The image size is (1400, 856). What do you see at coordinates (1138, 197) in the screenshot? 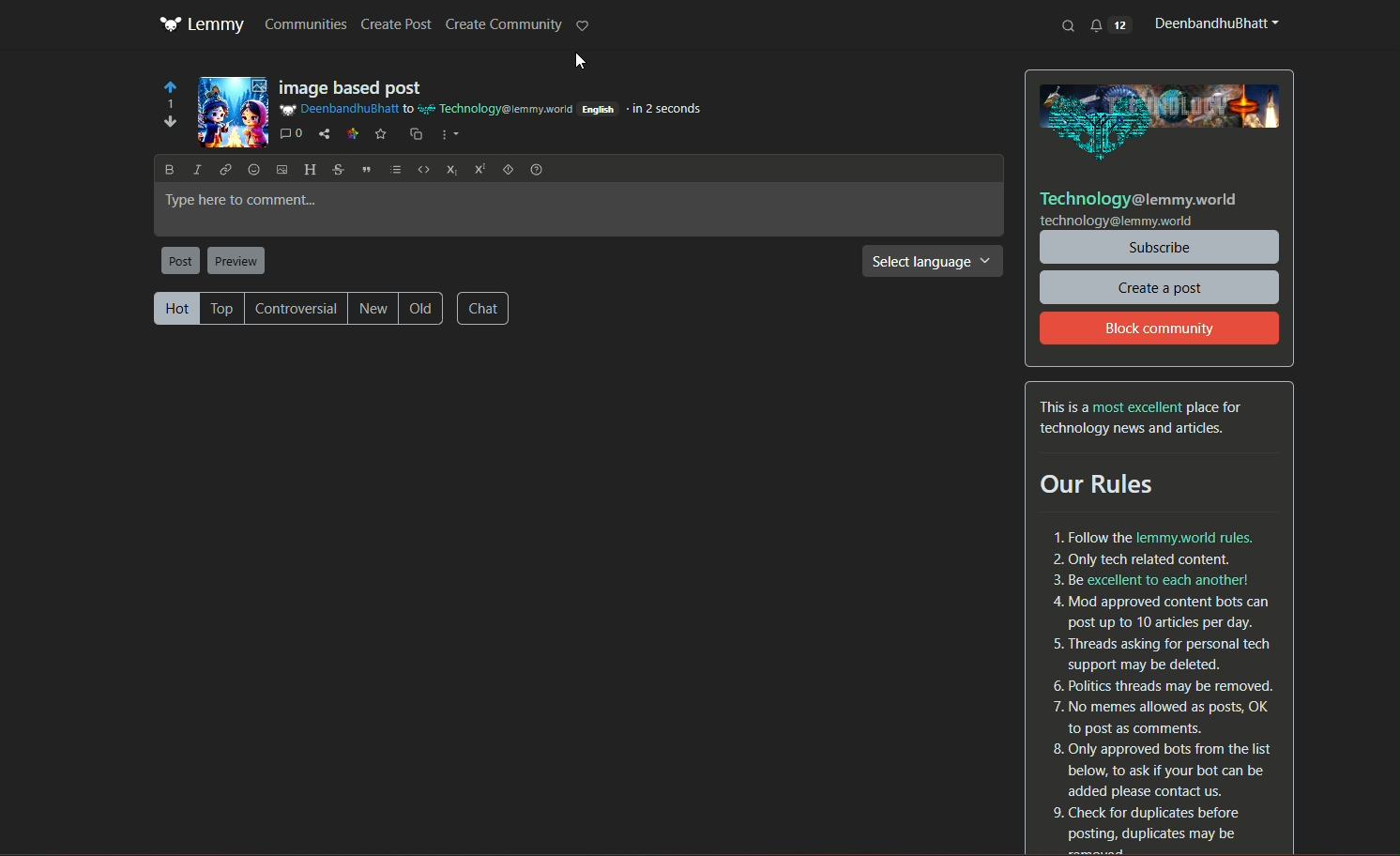
I see `Technology@lemmy.world` at bounding box center [1138, 197].